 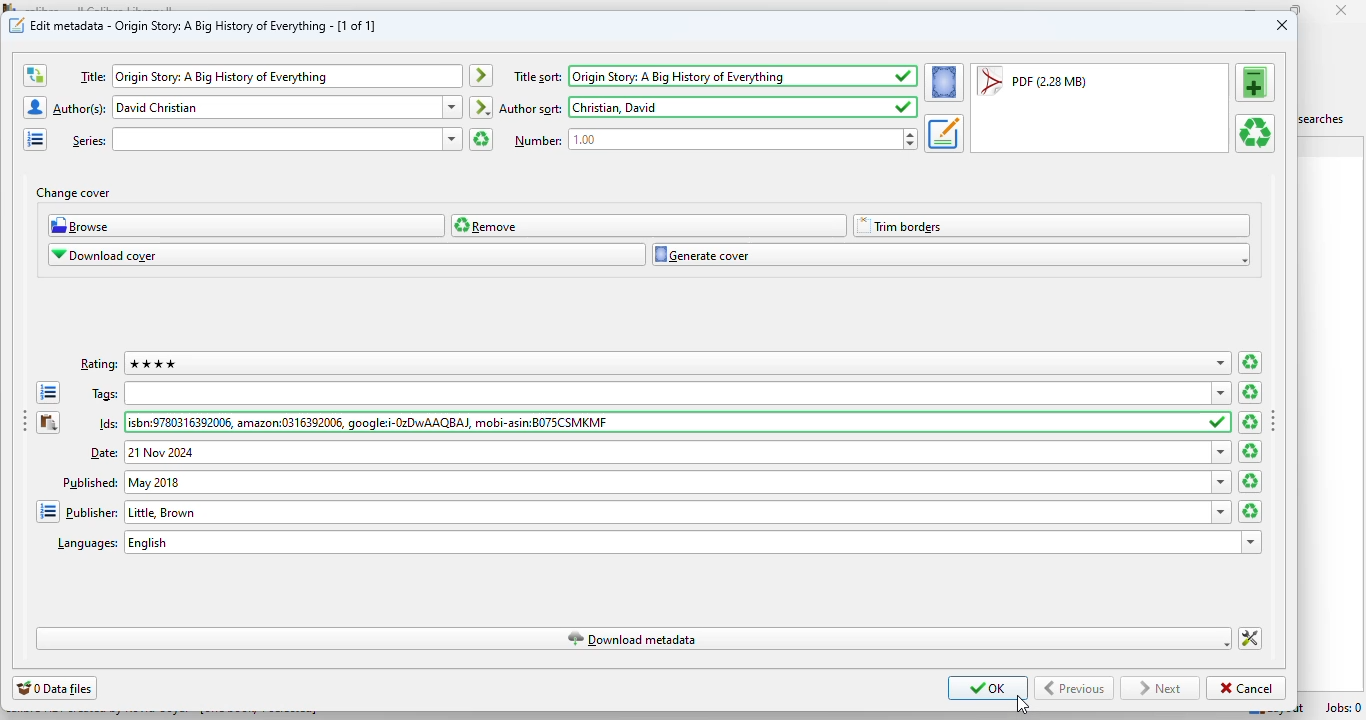 What do you see at coordinates (286, 77) in the screenshot?
I see `title: Origin Story: A Big History of Everything` at bounding box center [286, 77].